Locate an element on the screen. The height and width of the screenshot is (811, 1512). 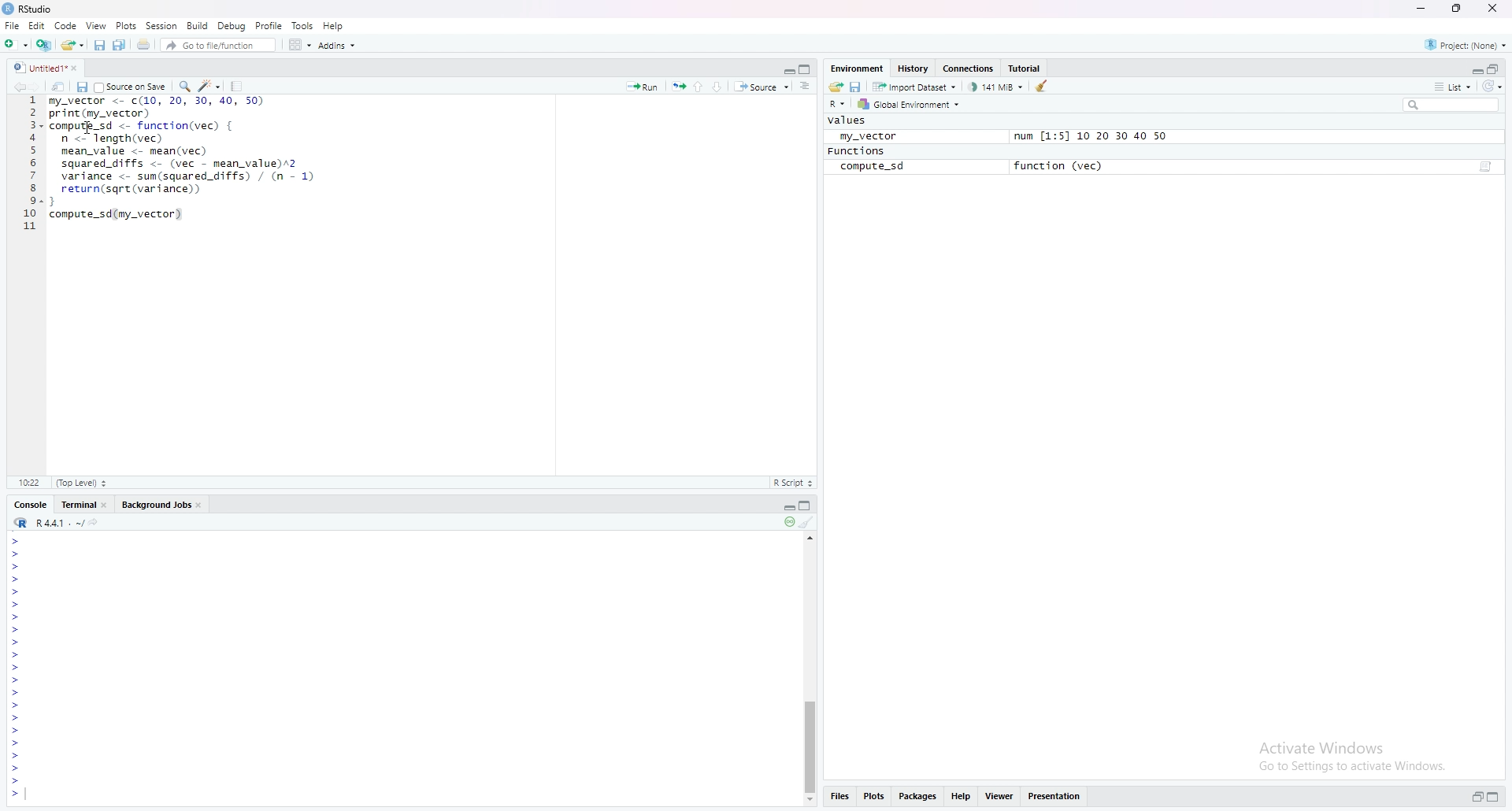
Prompt cursor is located at coordinates (17, 782).